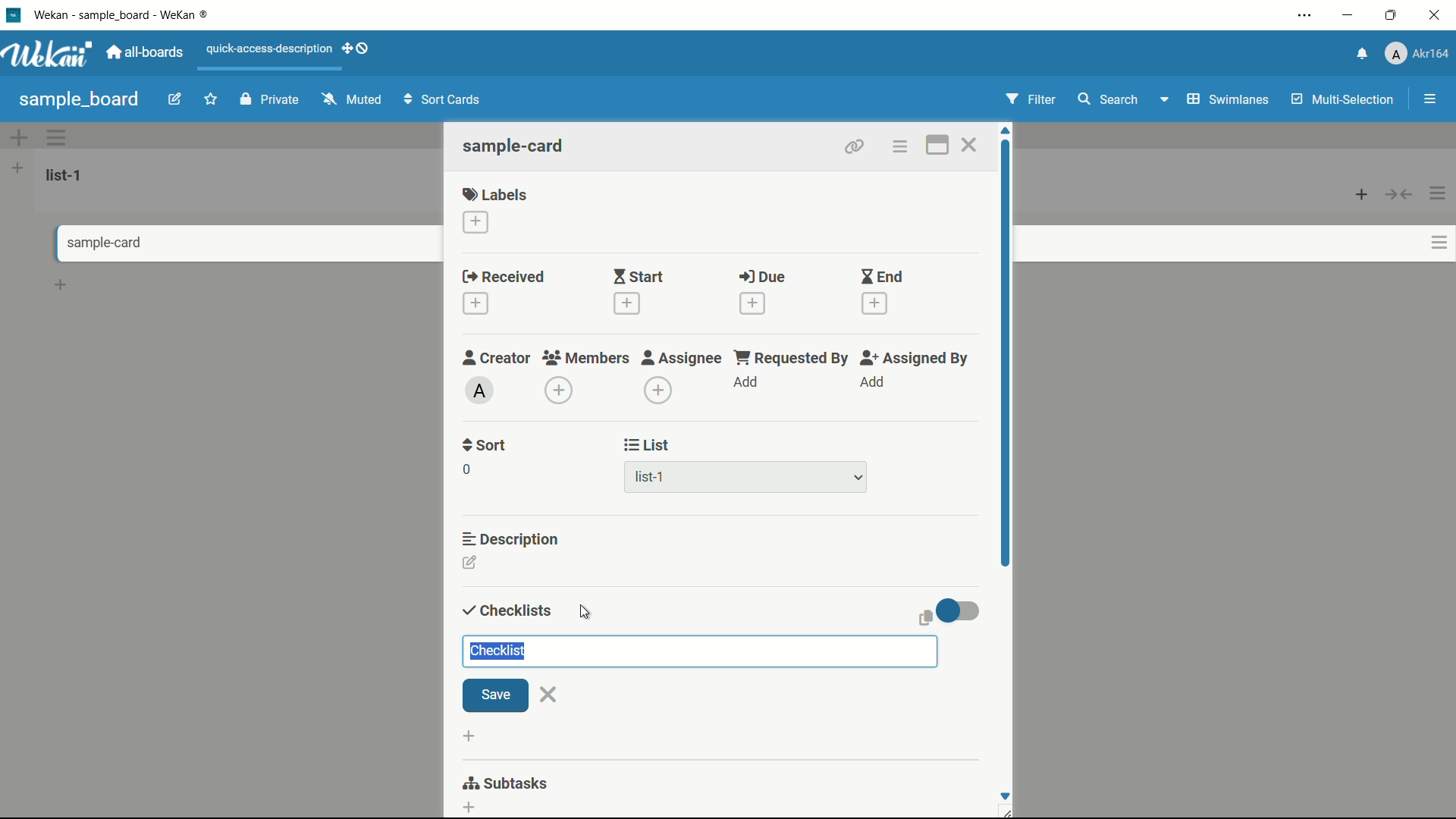 Image resolution: width=1456 pixels, height=819 pixels. What do you see at coordinates (58, 137) in the screenshot?
I see `swimlane actions` at bounding box center [58, 137].